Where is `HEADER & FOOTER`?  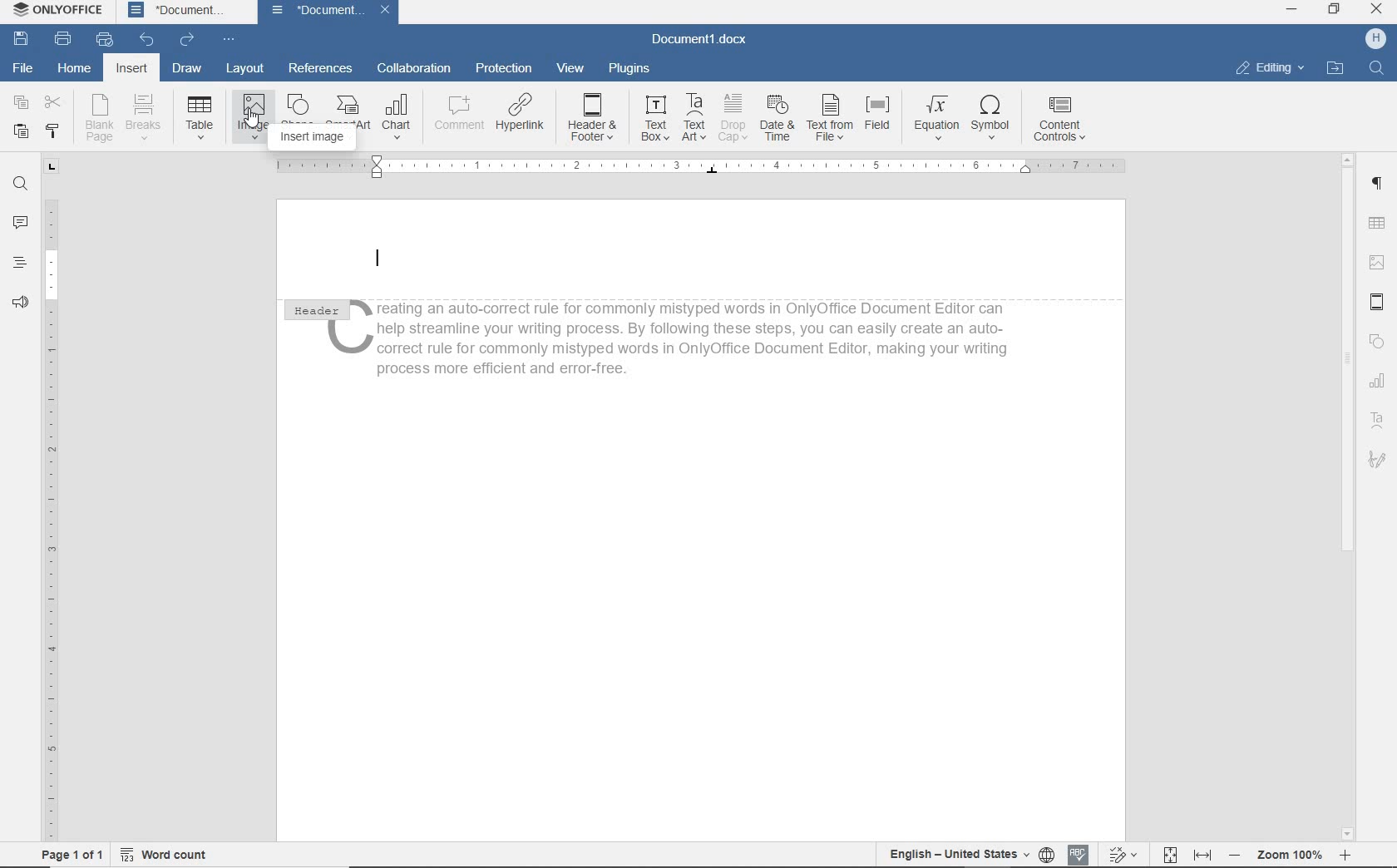
HEADER & FOOTER is located at coordinates (1377, 303).